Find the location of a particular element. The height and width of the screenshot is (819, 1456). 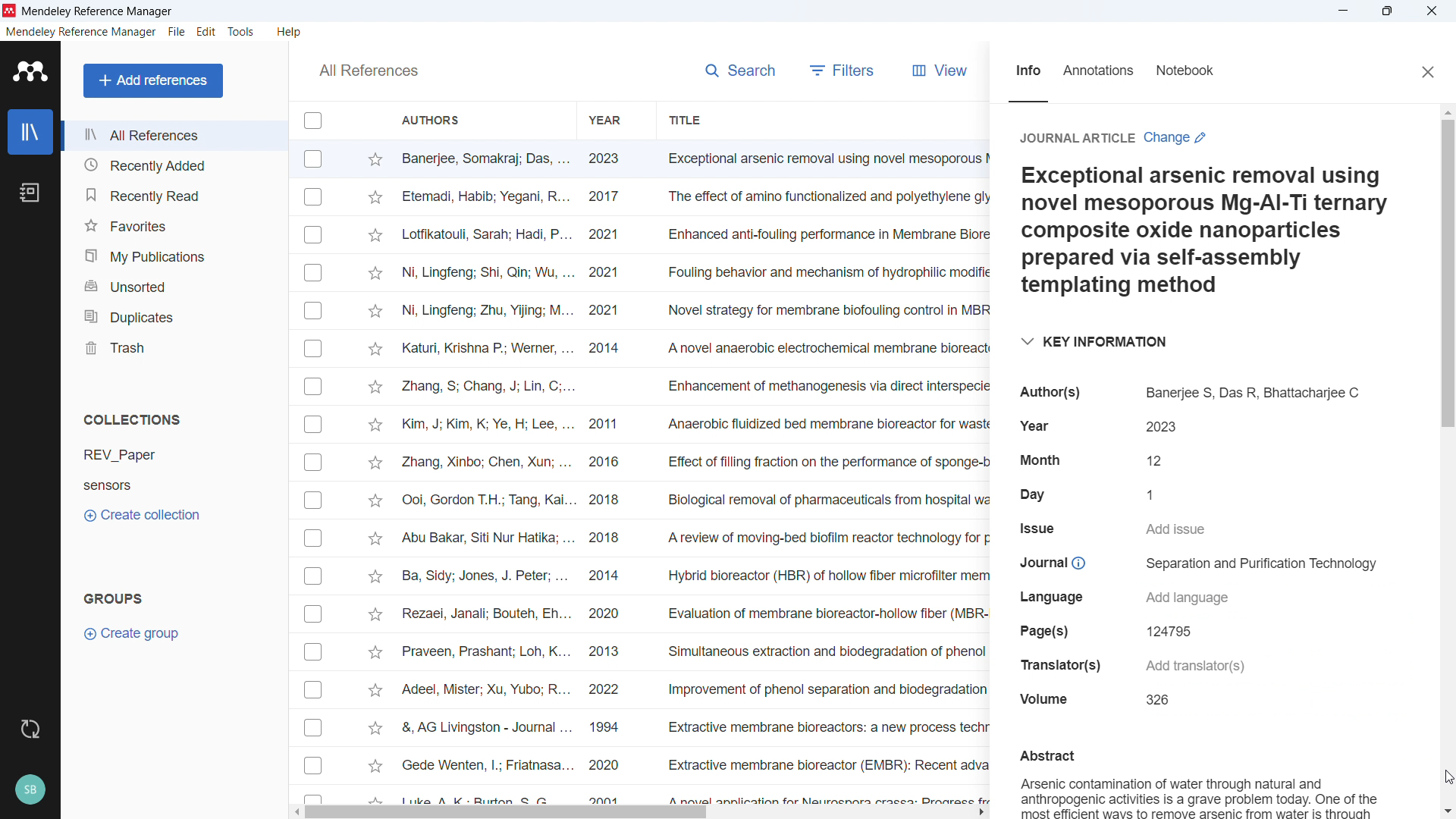

2014 is located at coordinates (606, 578).